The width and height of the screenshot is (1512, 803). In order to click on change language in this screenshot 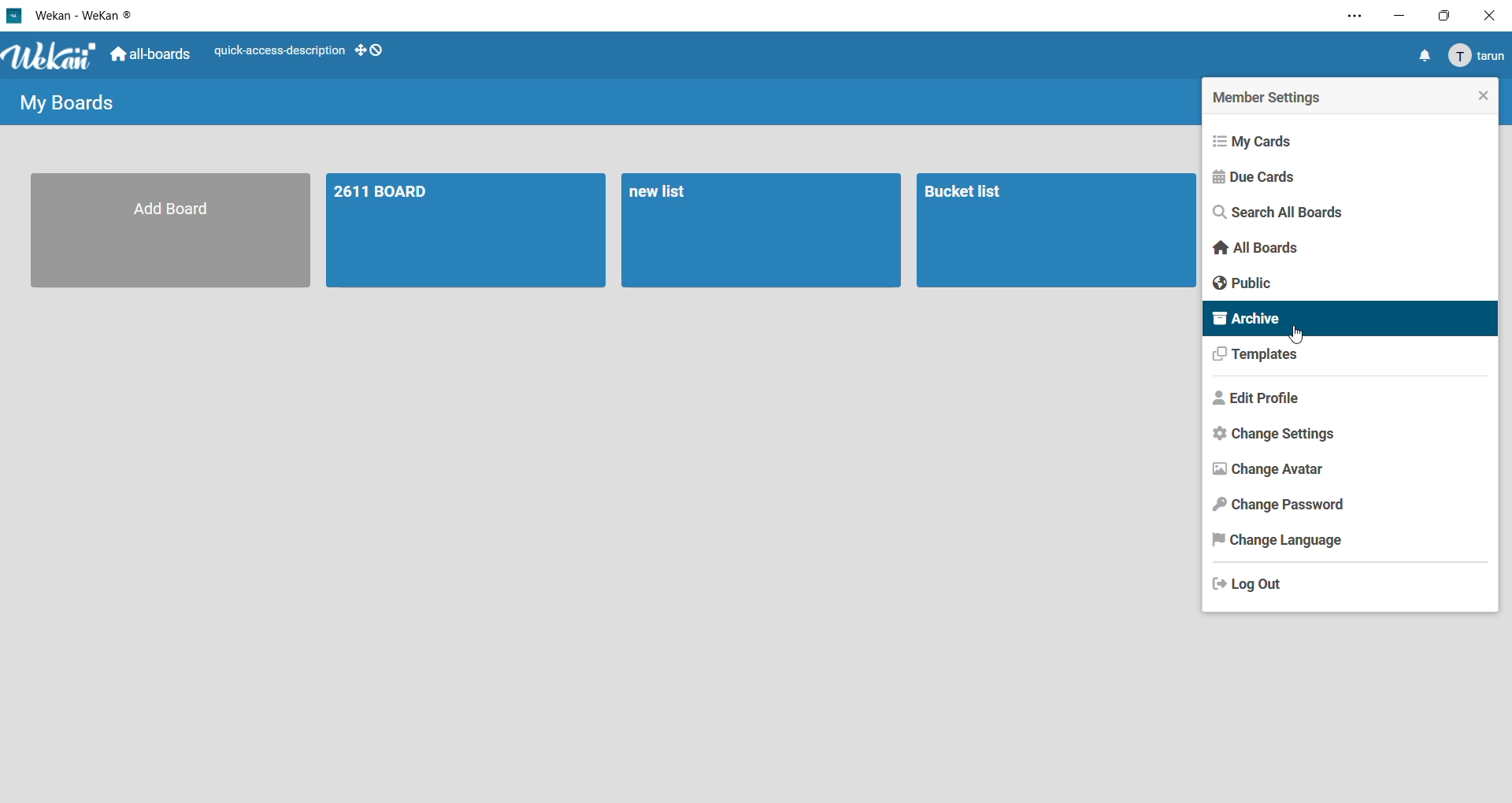, I will do `click(1277, 542)`.